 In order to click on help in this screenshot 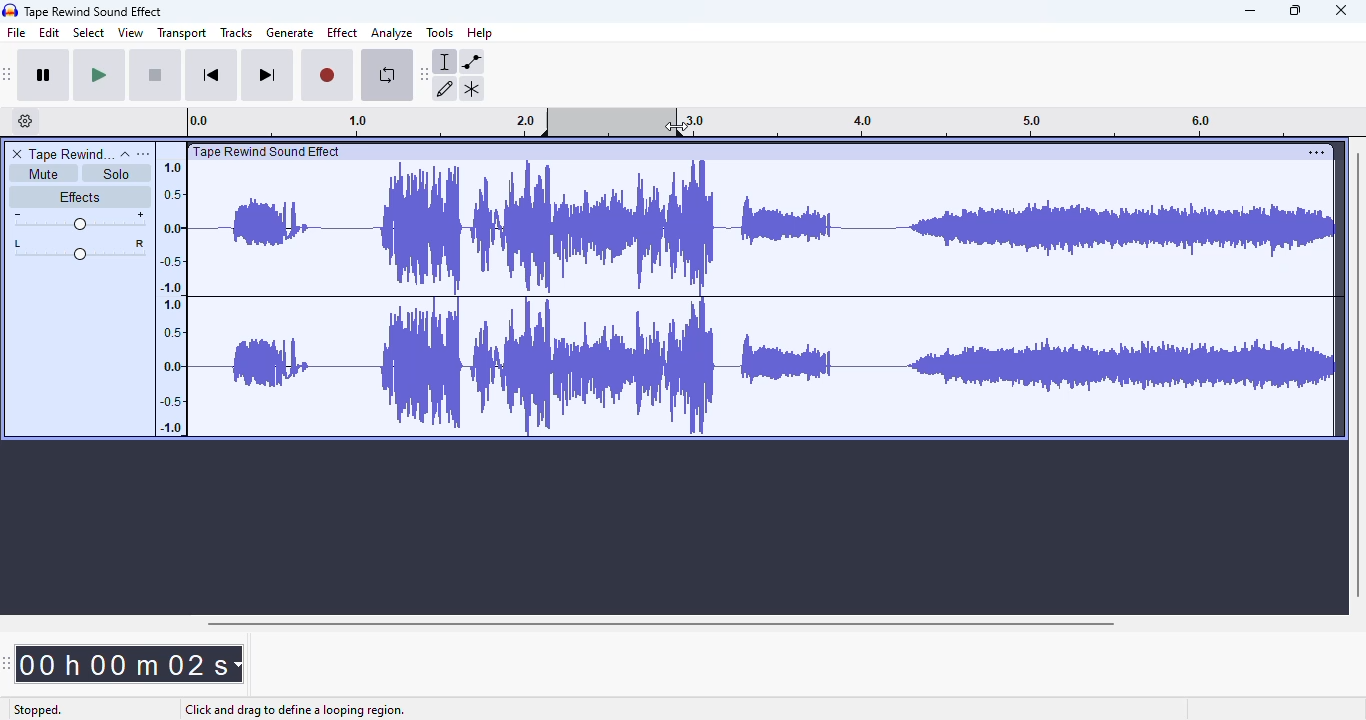, I will do `click(480, 33)`.